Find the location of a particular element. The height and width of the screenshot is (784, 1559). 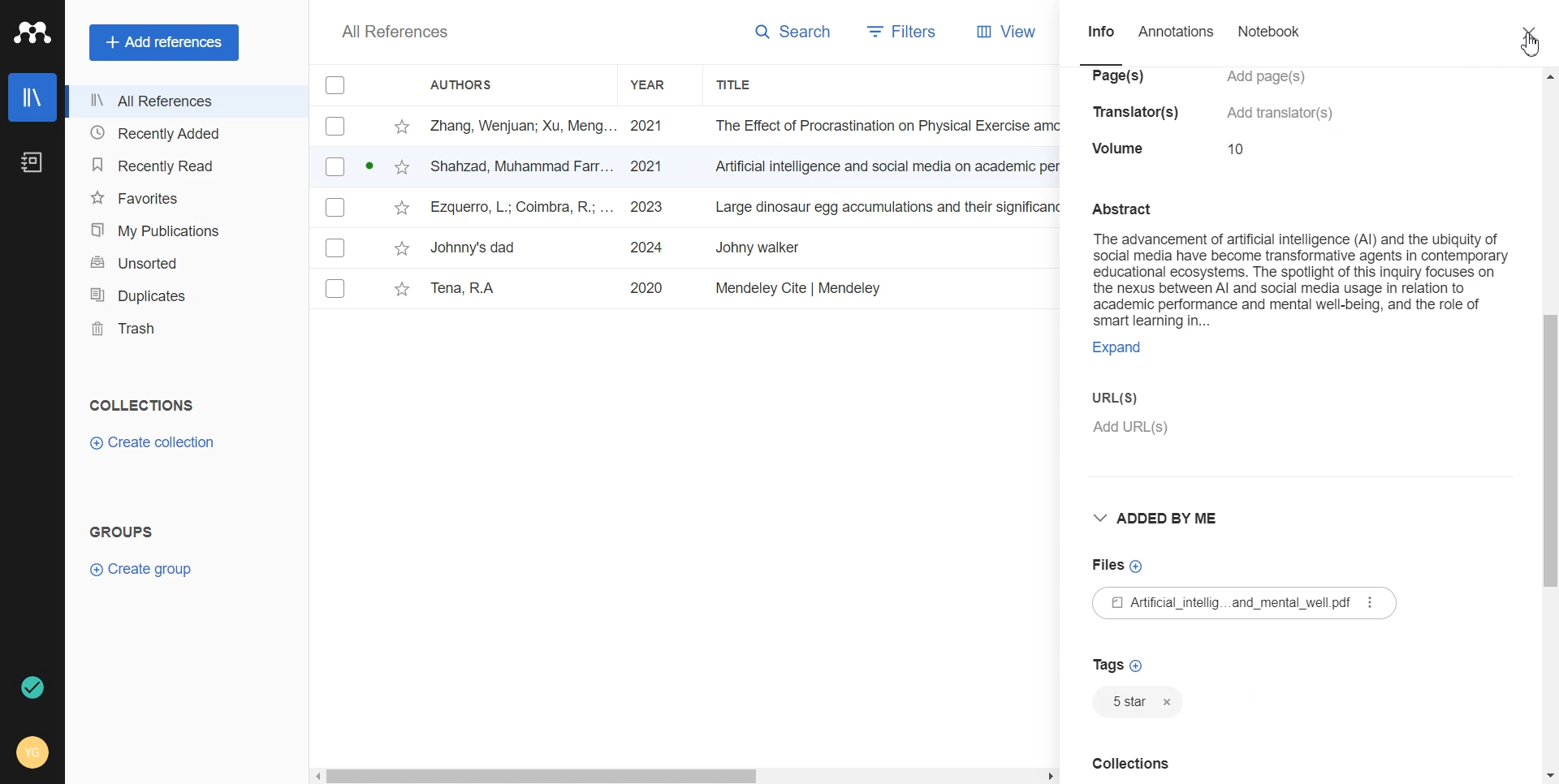

Notebook is located at coordinates (32, 162).